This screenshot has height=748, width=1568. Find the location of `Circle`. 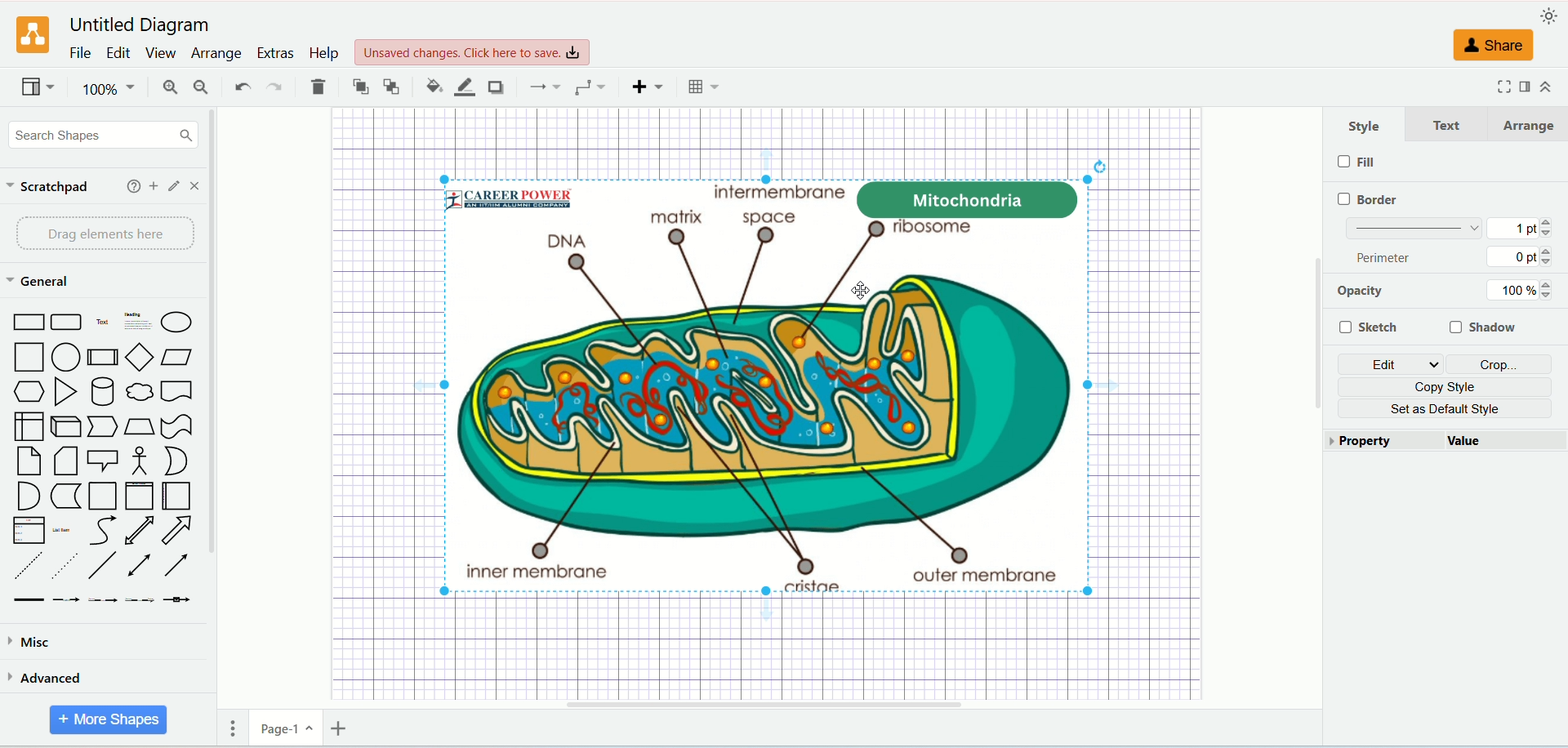

Circle is located at coordinates (65, 358).